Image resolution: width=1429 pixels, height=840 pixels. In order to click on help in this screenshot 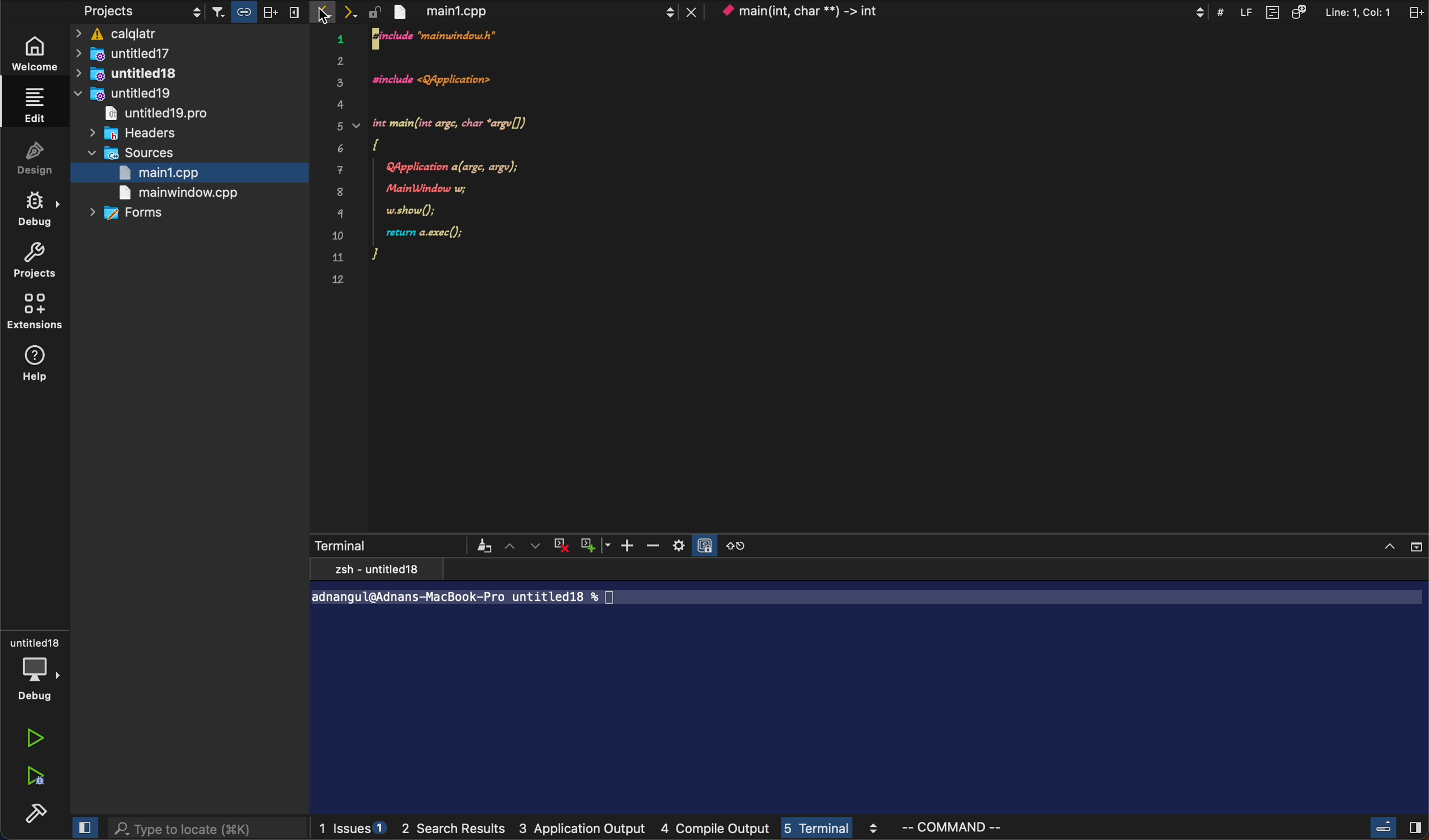, I will do `click(36, 364)`.